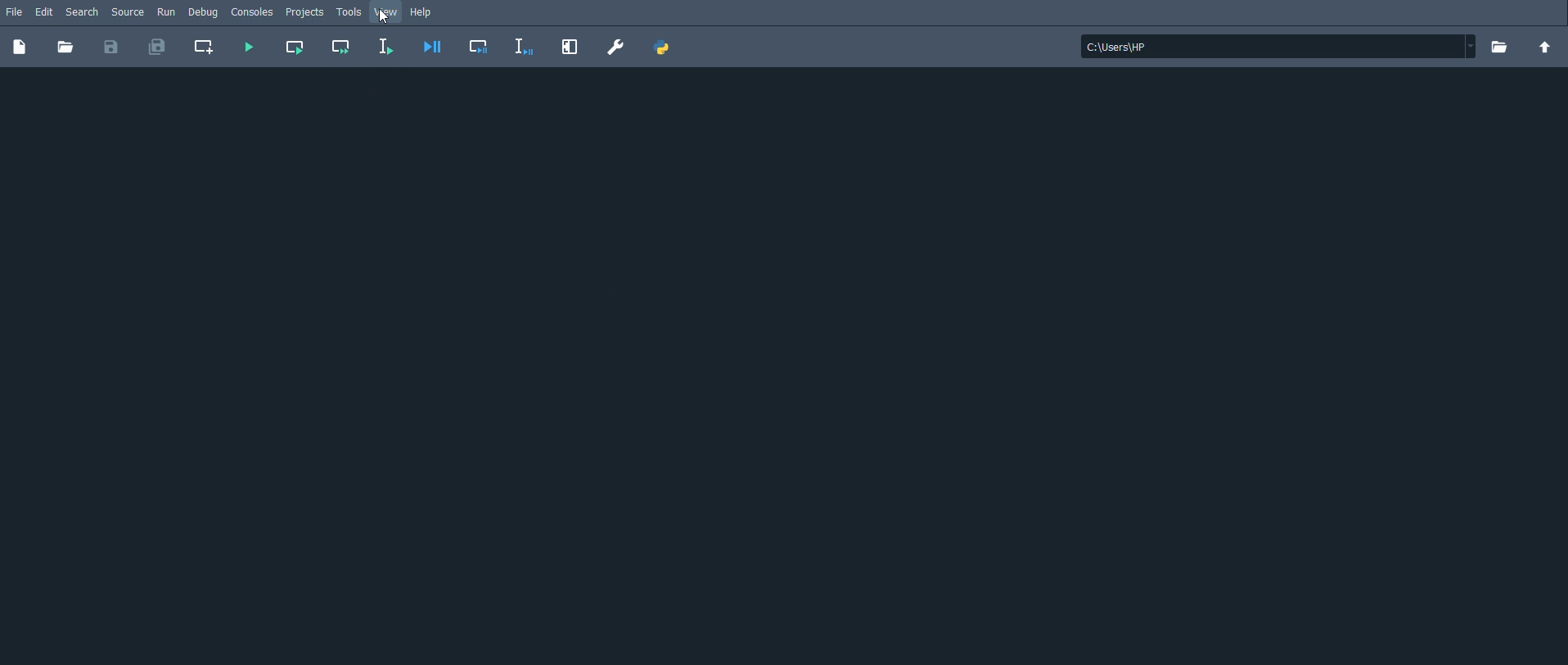  I want to click on Run current cell and go to the next one, so click(340, 45).